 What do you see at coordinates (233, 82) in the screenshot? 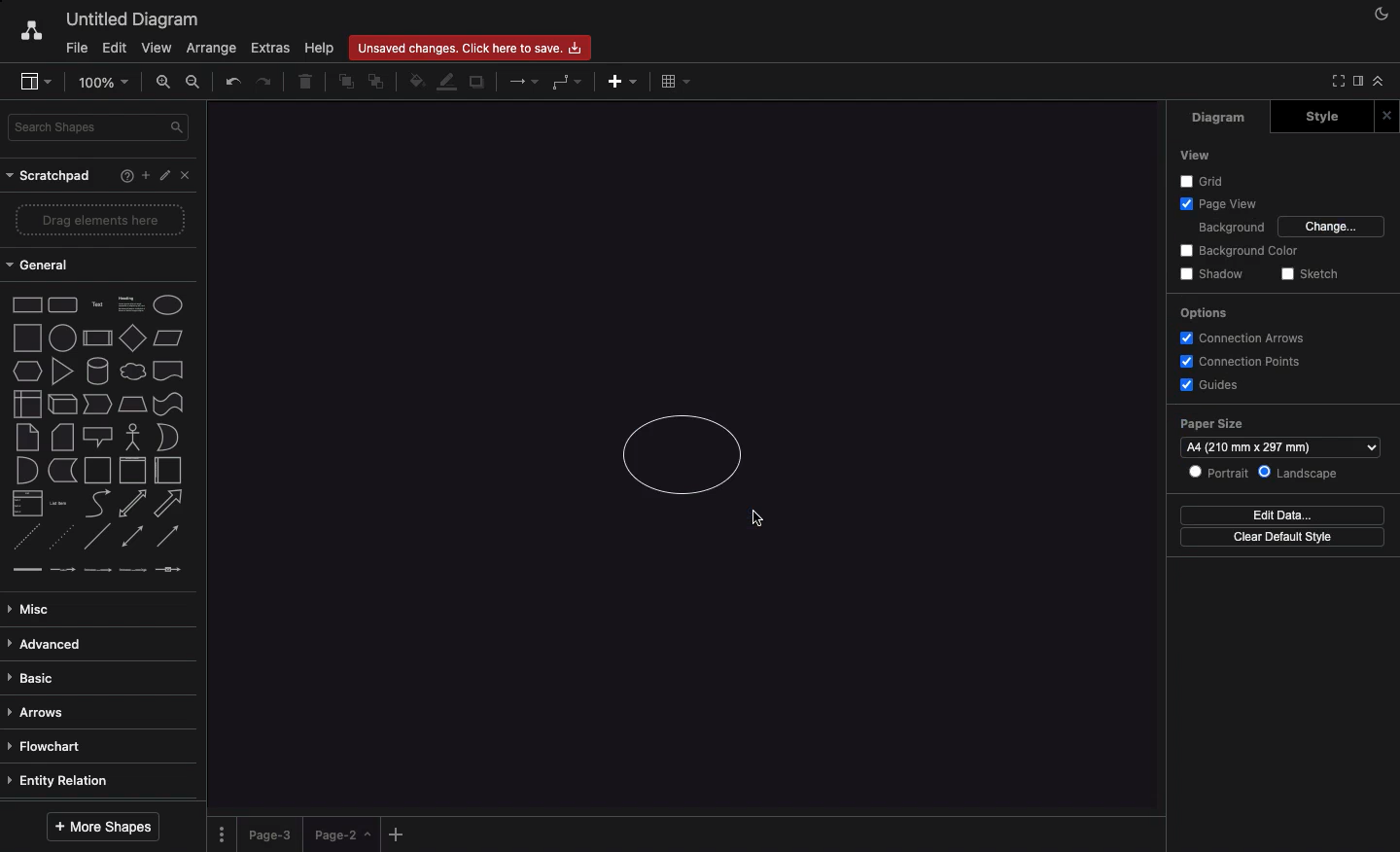
I see `Undo` at bounding box center [233, 82].